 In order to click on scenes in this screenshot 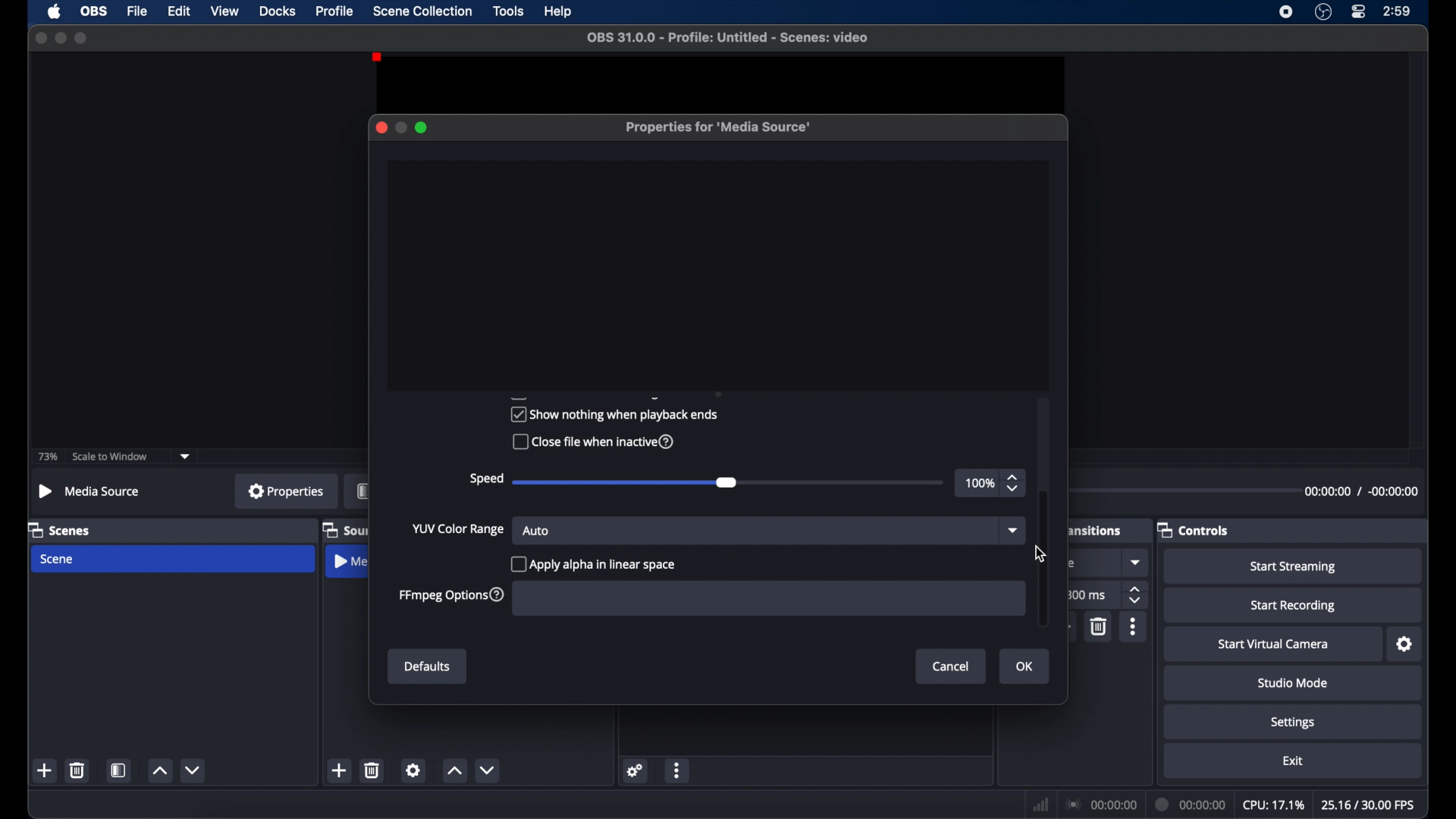, I will do `click(60, 529)`.